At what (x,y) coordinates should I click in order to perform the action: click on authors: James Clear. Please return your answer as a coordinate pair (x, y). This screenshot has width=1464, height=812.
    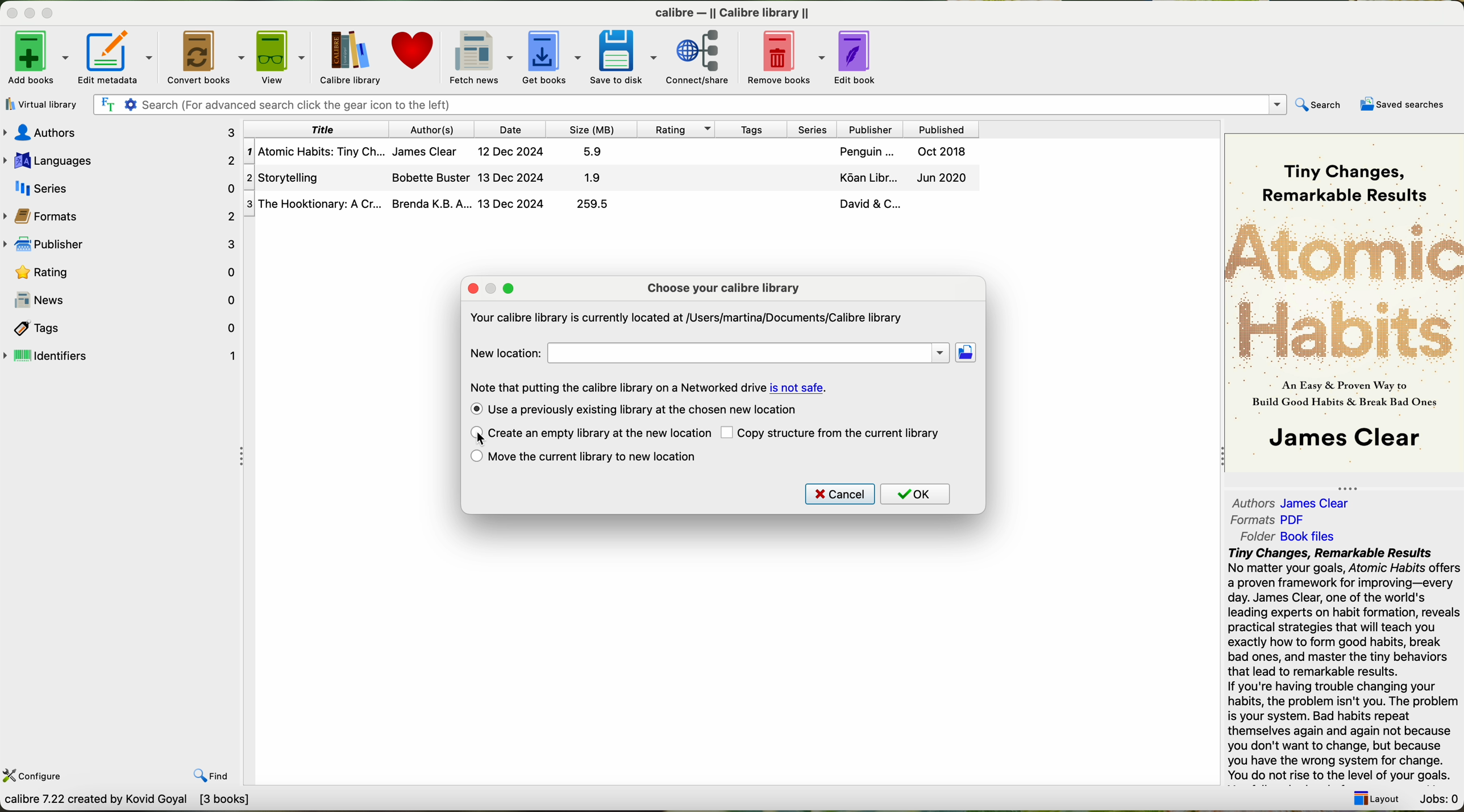
    Looking at the image, I should click on (1288, 500).